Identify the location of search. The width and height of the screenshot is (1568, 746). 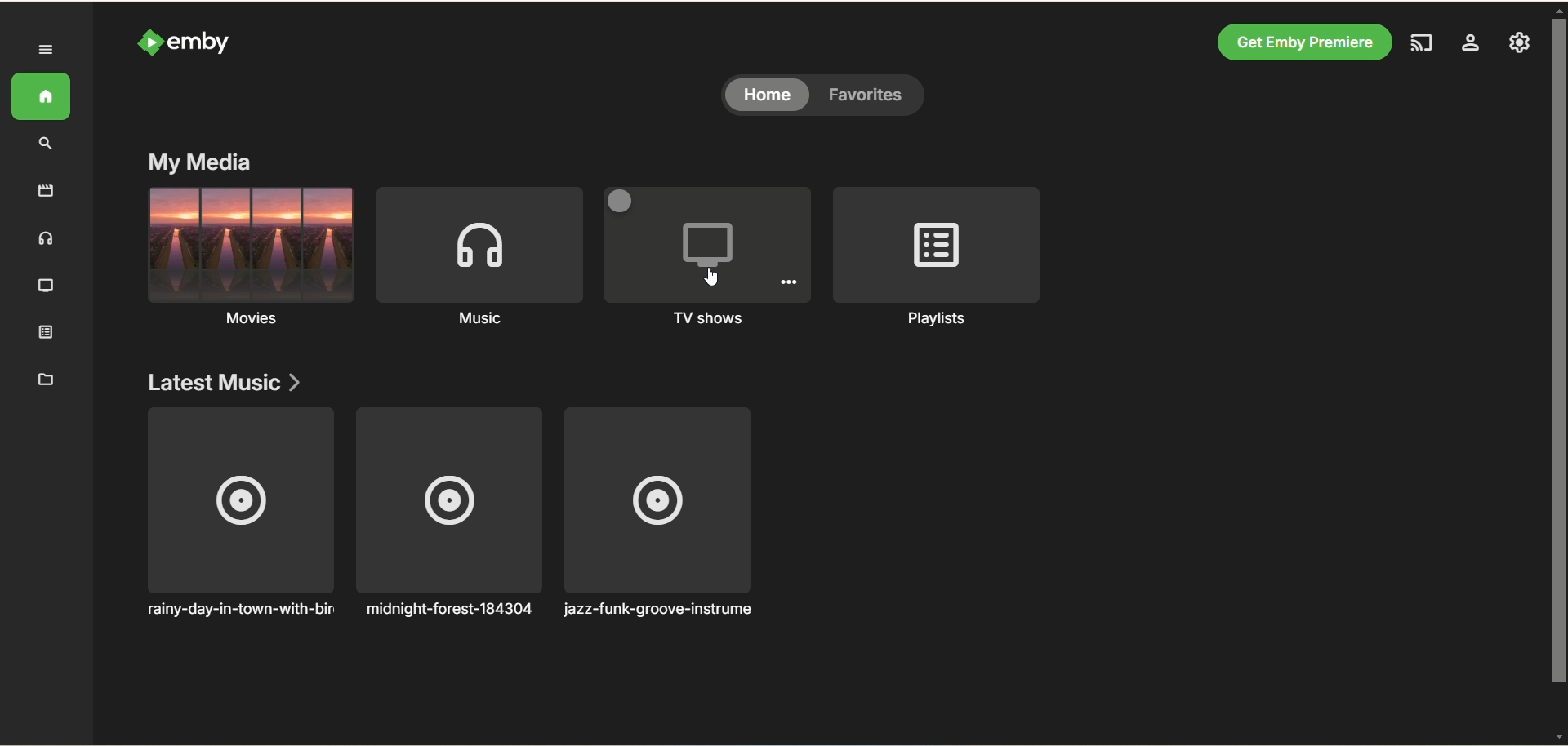
(46, 144).